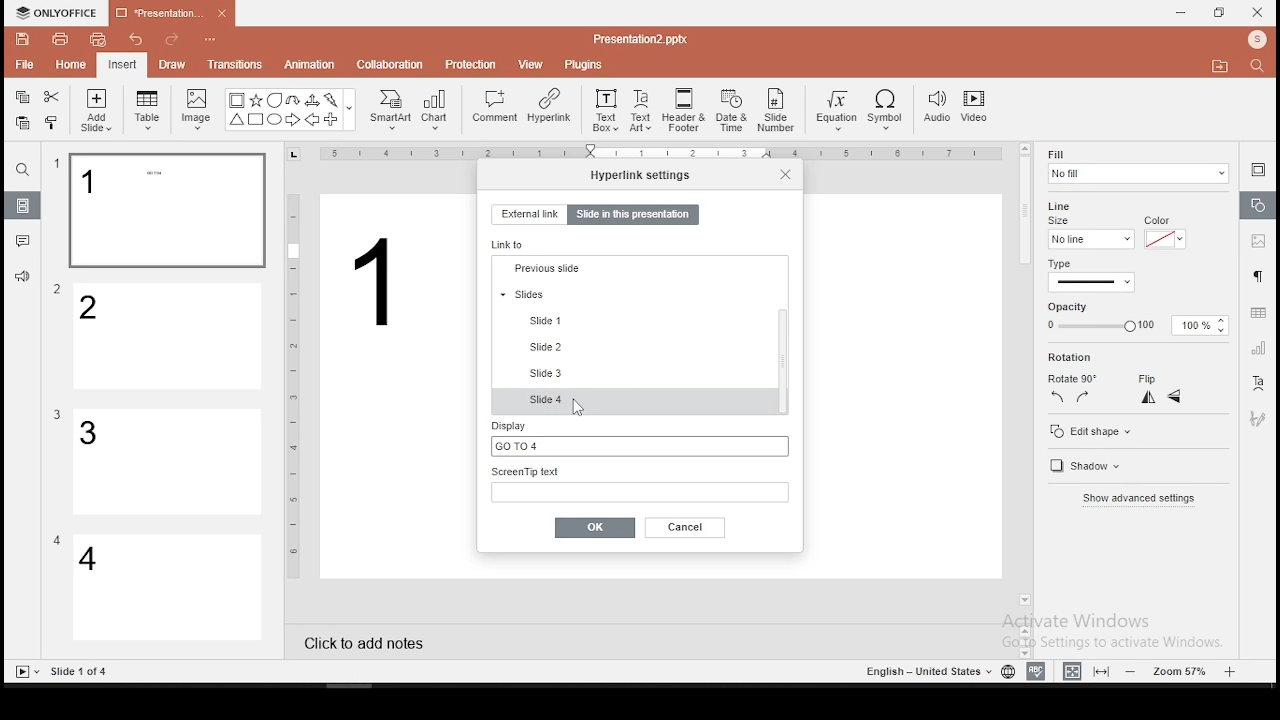  Describe the element at coordinates (732, 110) in the screenshot. I see `date and time` at that location.